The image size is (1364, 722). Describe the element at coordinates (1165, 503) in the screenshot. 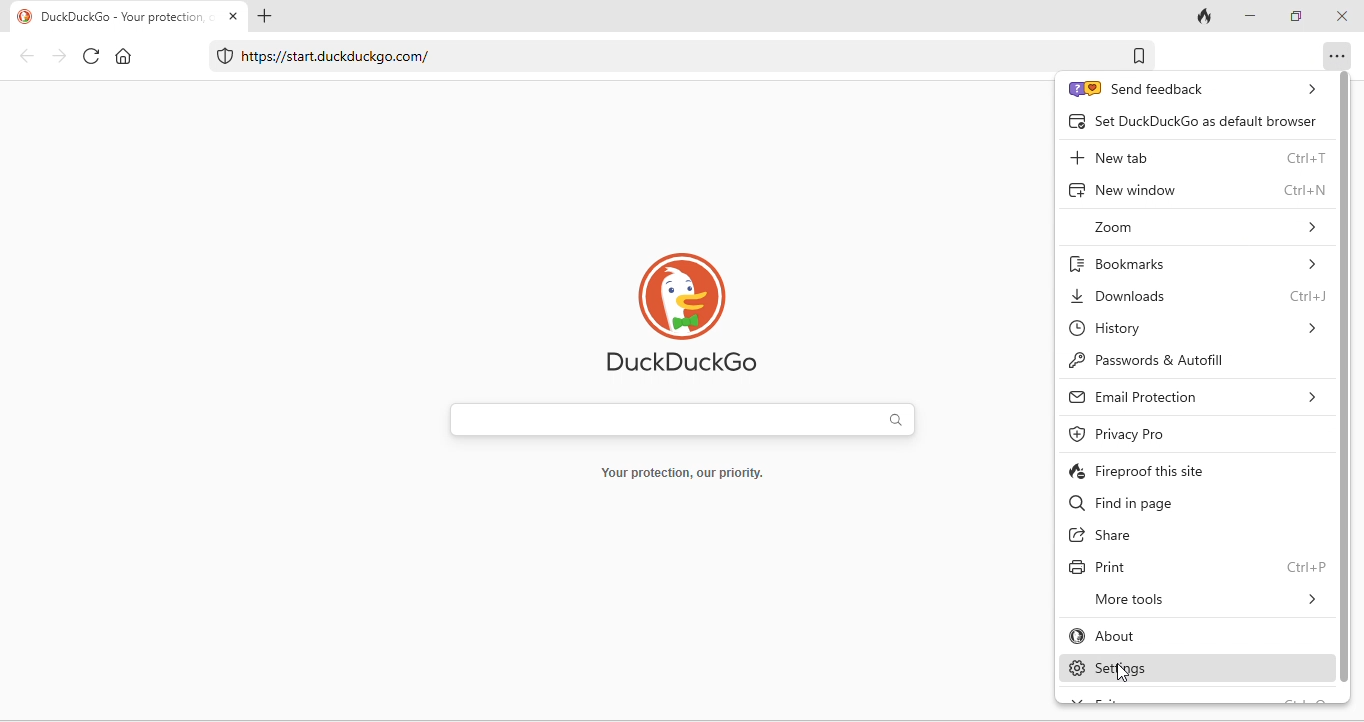

I see `find in page` at that location.